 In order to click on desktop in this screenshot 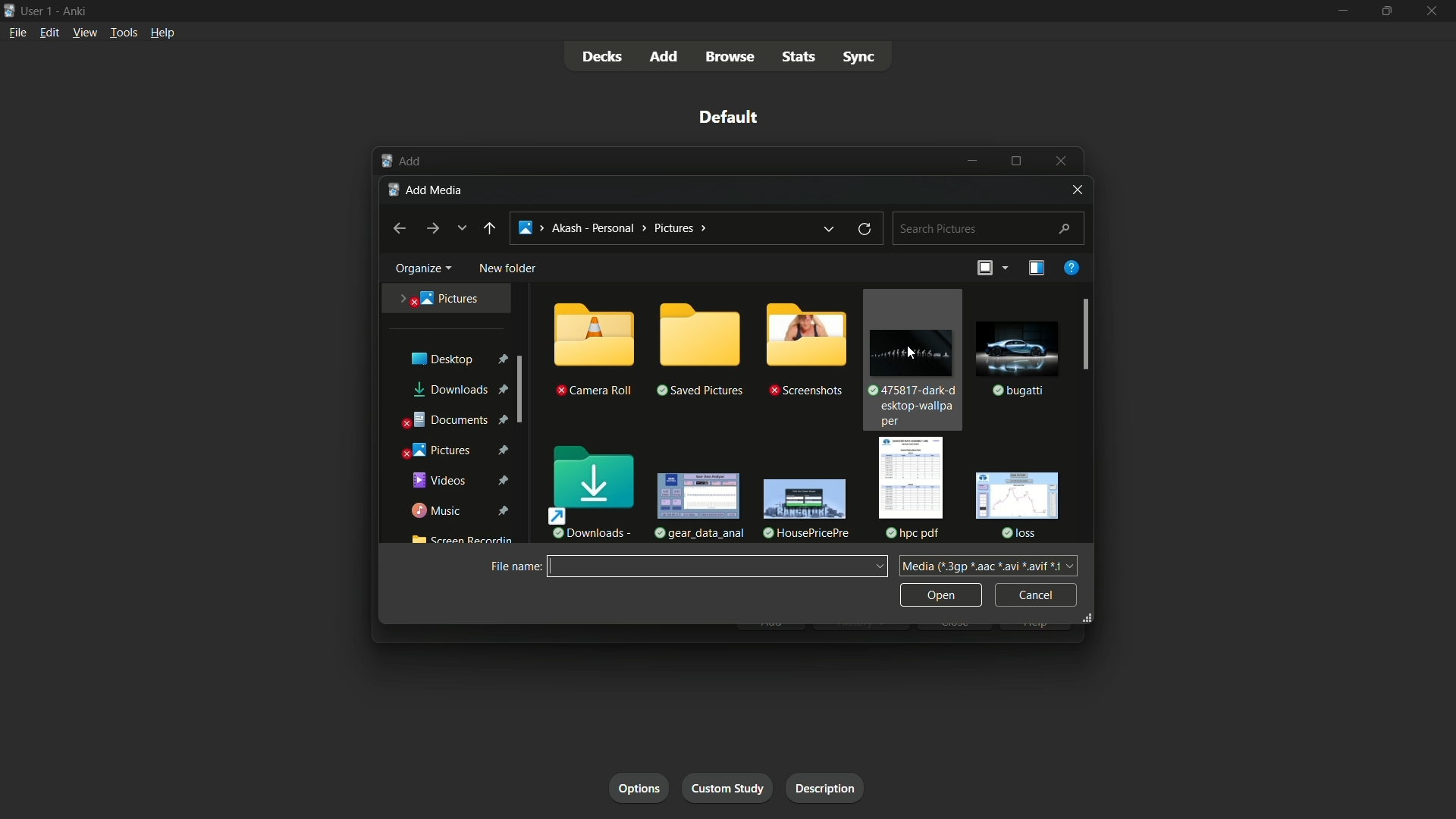, I will do `click(458, 359)`.